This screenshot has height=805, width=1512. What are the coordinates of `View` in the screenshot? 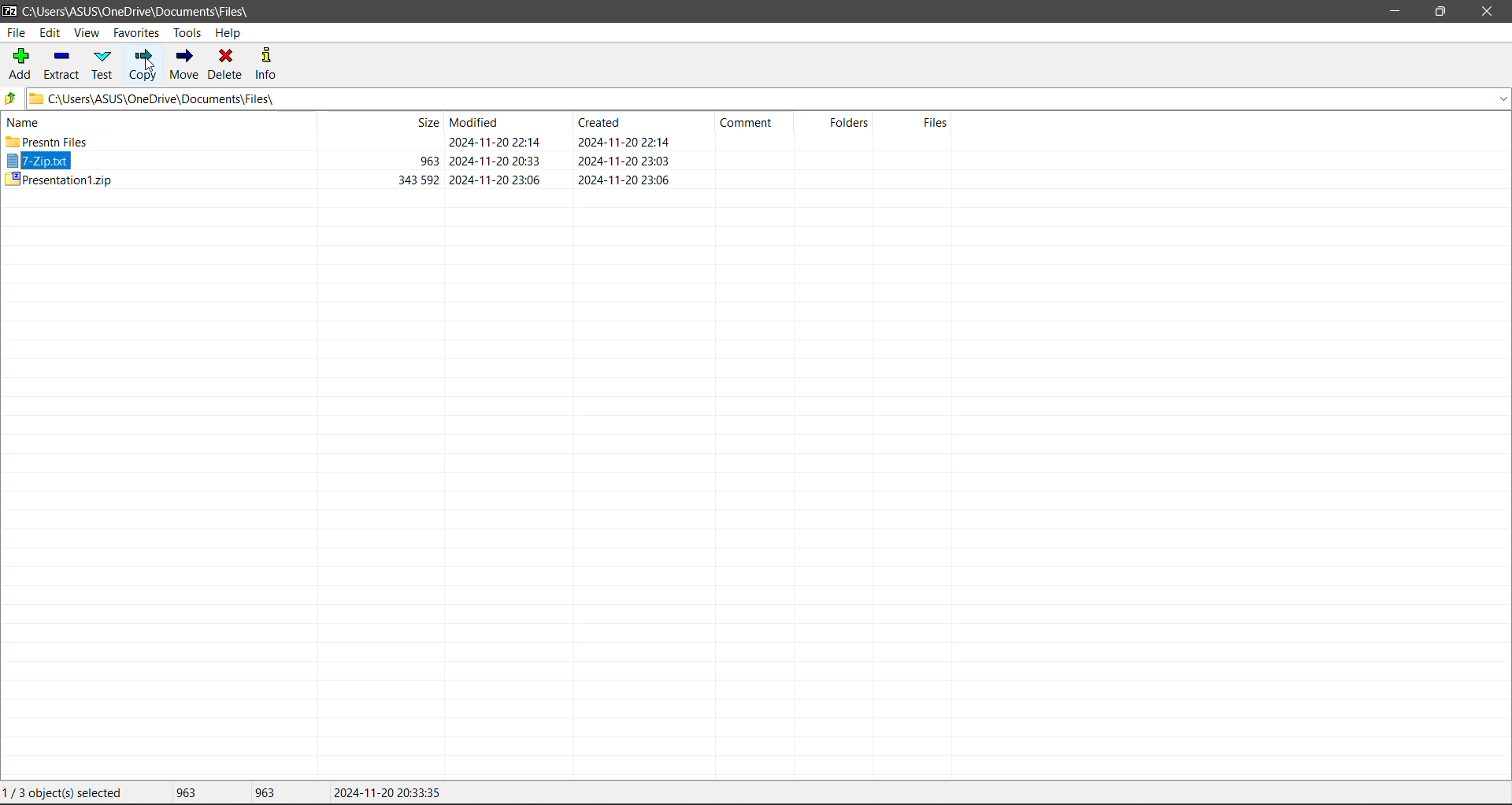 It's located at (87, 34).